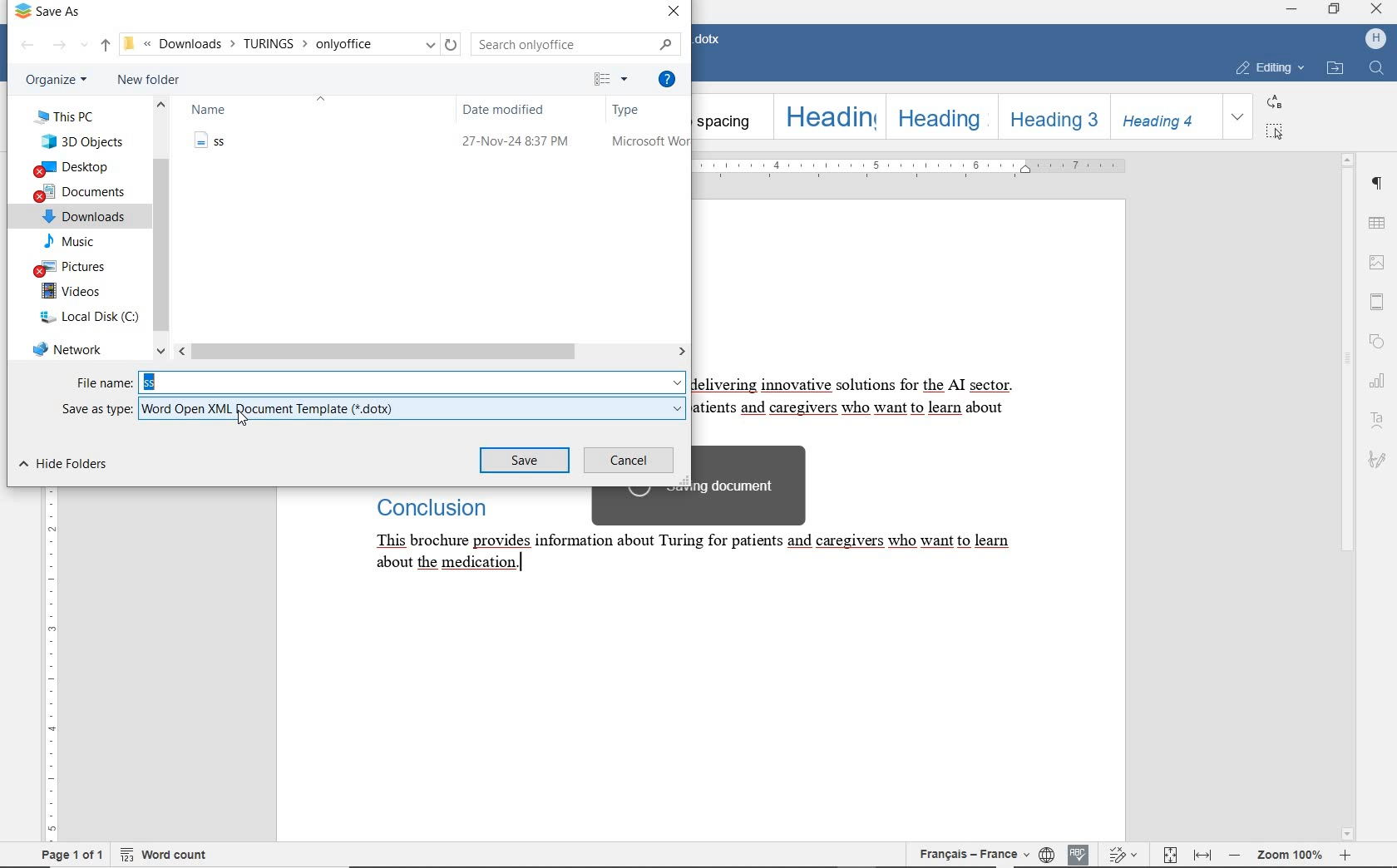 The width and height of the screenshot is (1397, 868). Describe the element at coordinates (412, 408) in the screenshot. I see `.dotx` at that location.